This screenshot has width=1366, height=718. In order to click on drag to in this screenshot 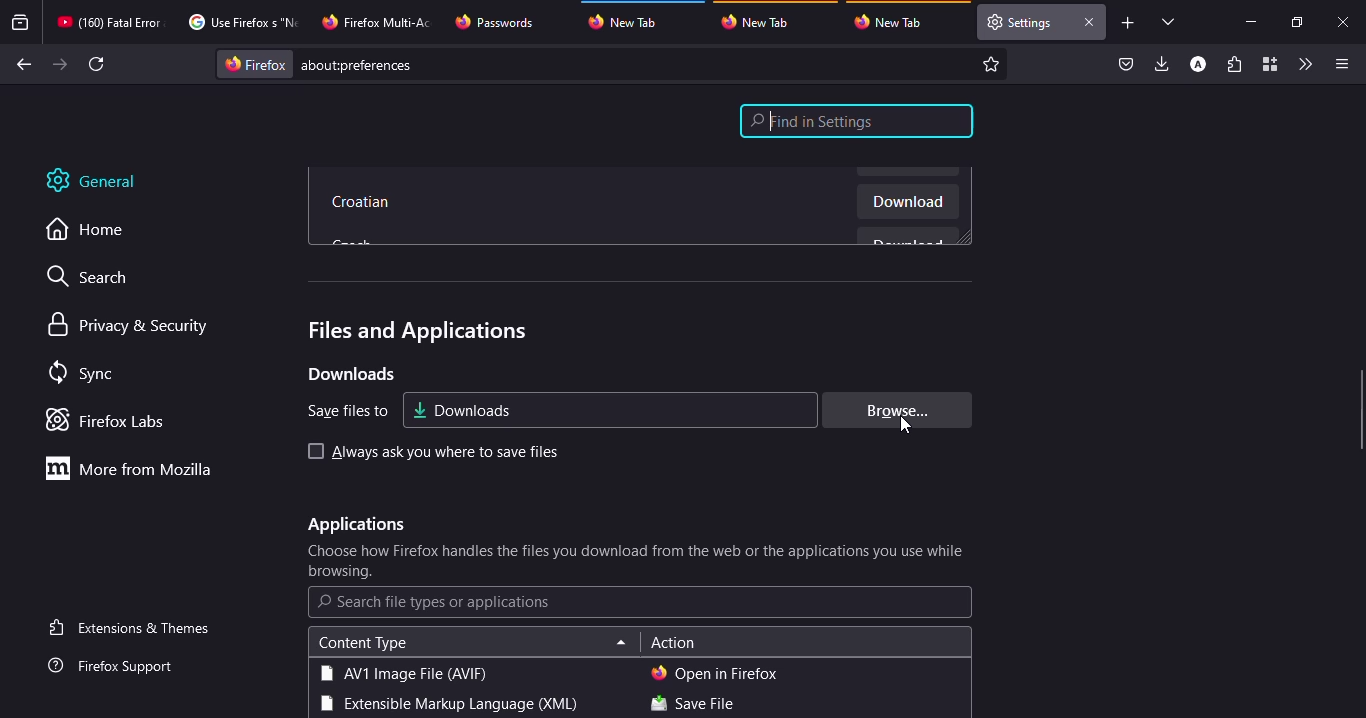, I will do `click(1361, 411)`.